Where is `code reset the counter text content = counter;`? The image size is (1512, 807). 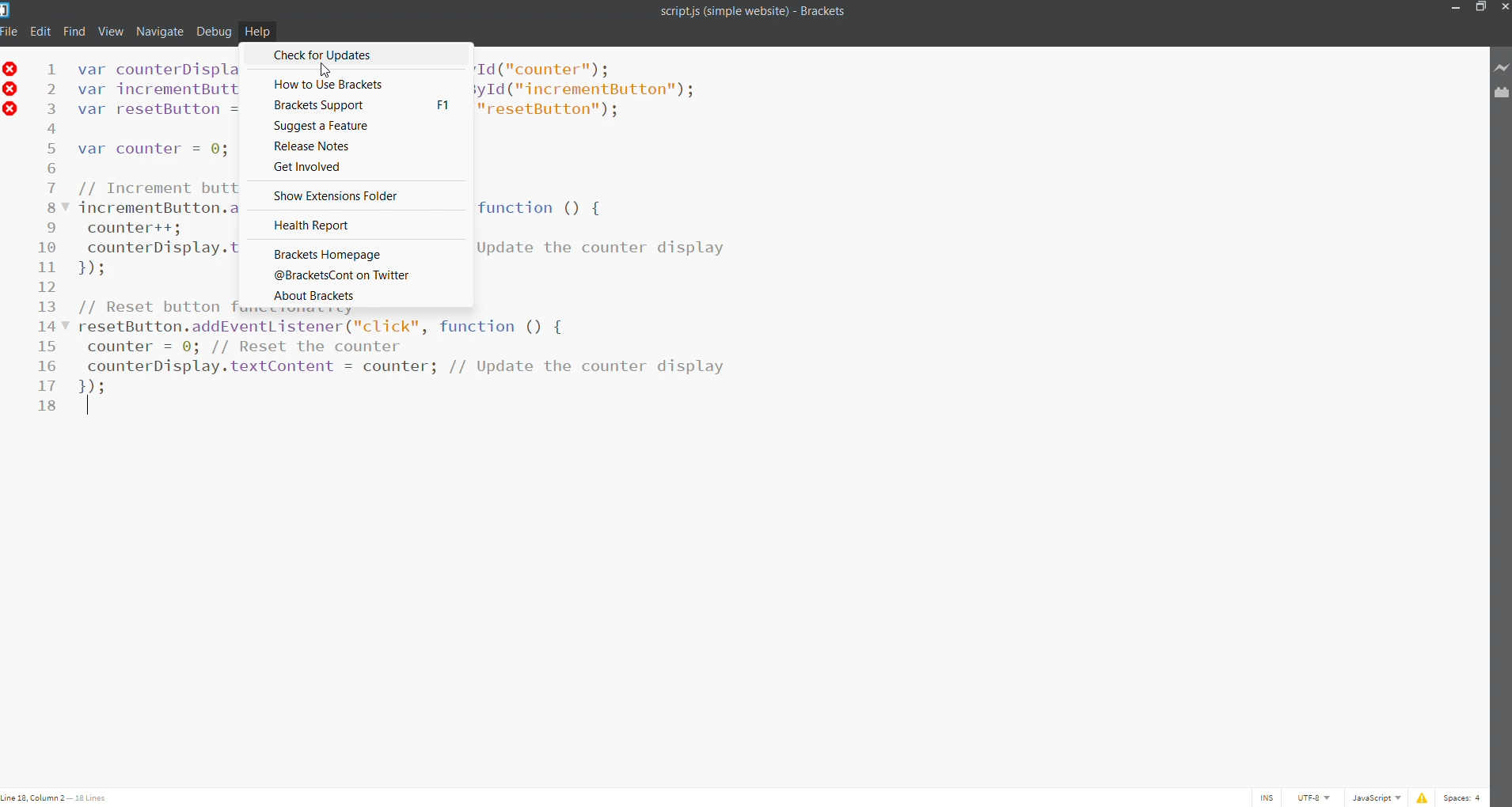 code reset the counter text content = counter; is located at coordinates (357, 345).